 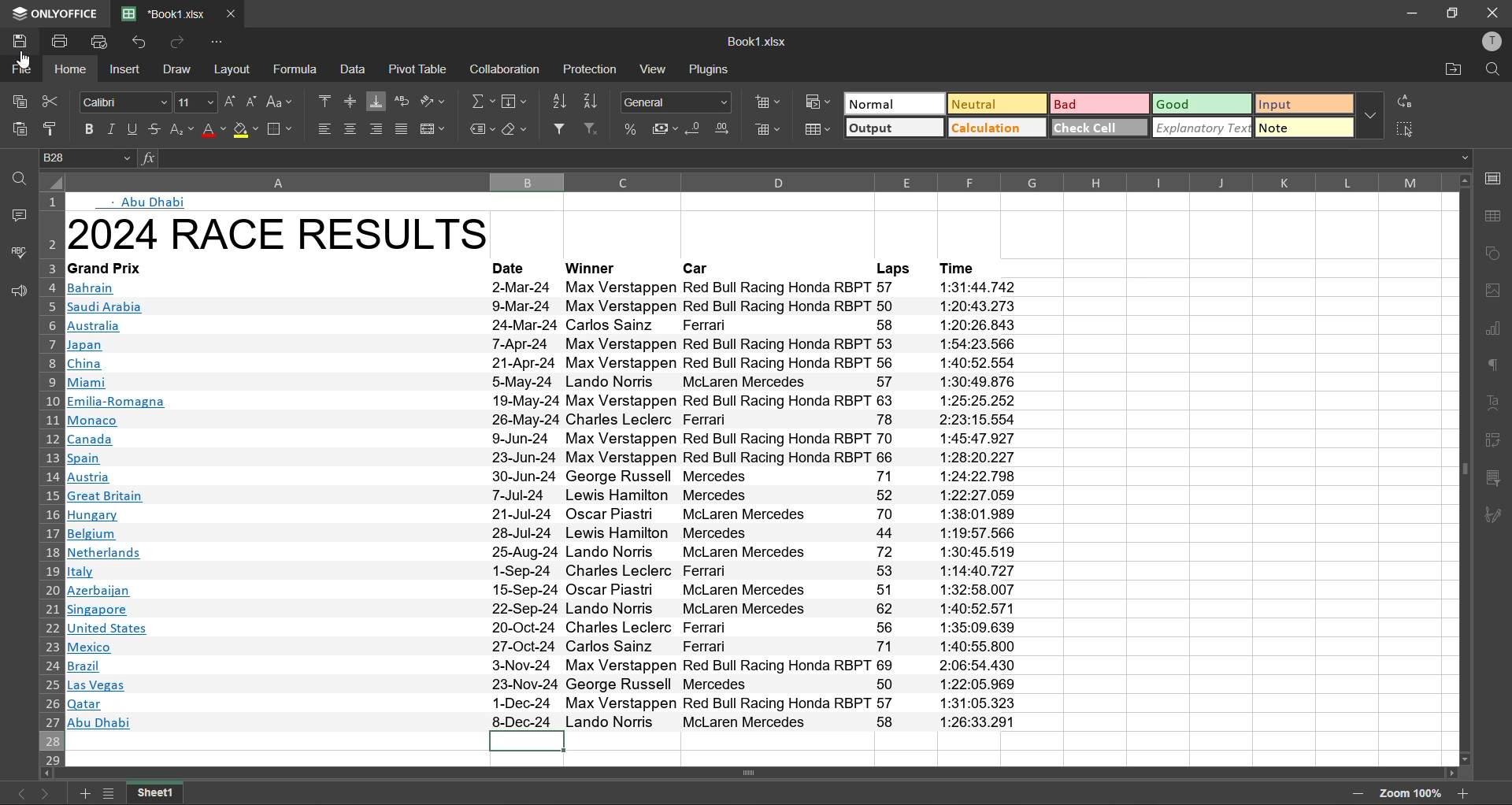 What do you see at coordinates (218, 43) in the screenshot?
I see `customize quick access toolbar` at bounding box center [218, 43].